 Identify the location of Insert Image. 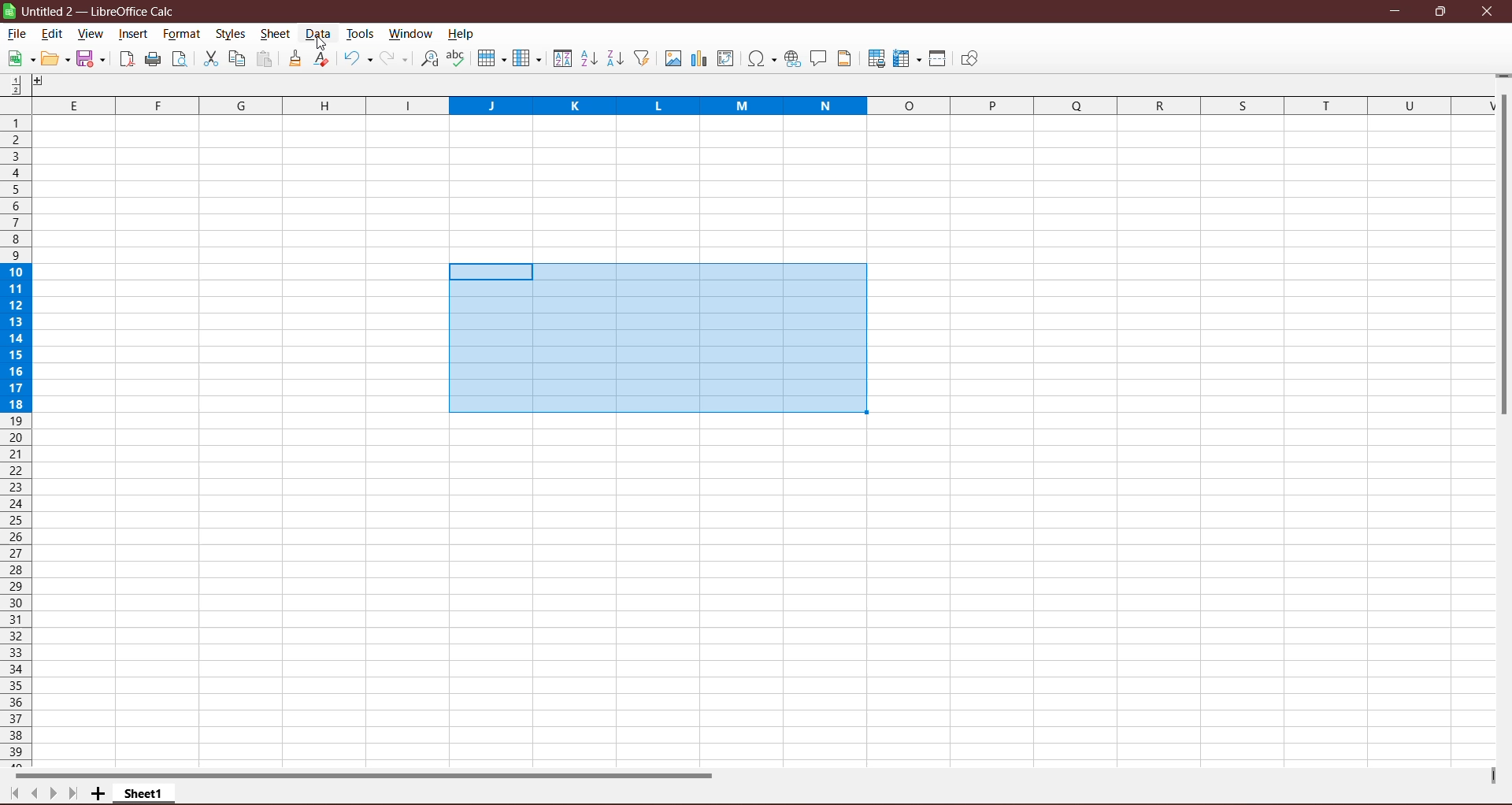
(672, 59).